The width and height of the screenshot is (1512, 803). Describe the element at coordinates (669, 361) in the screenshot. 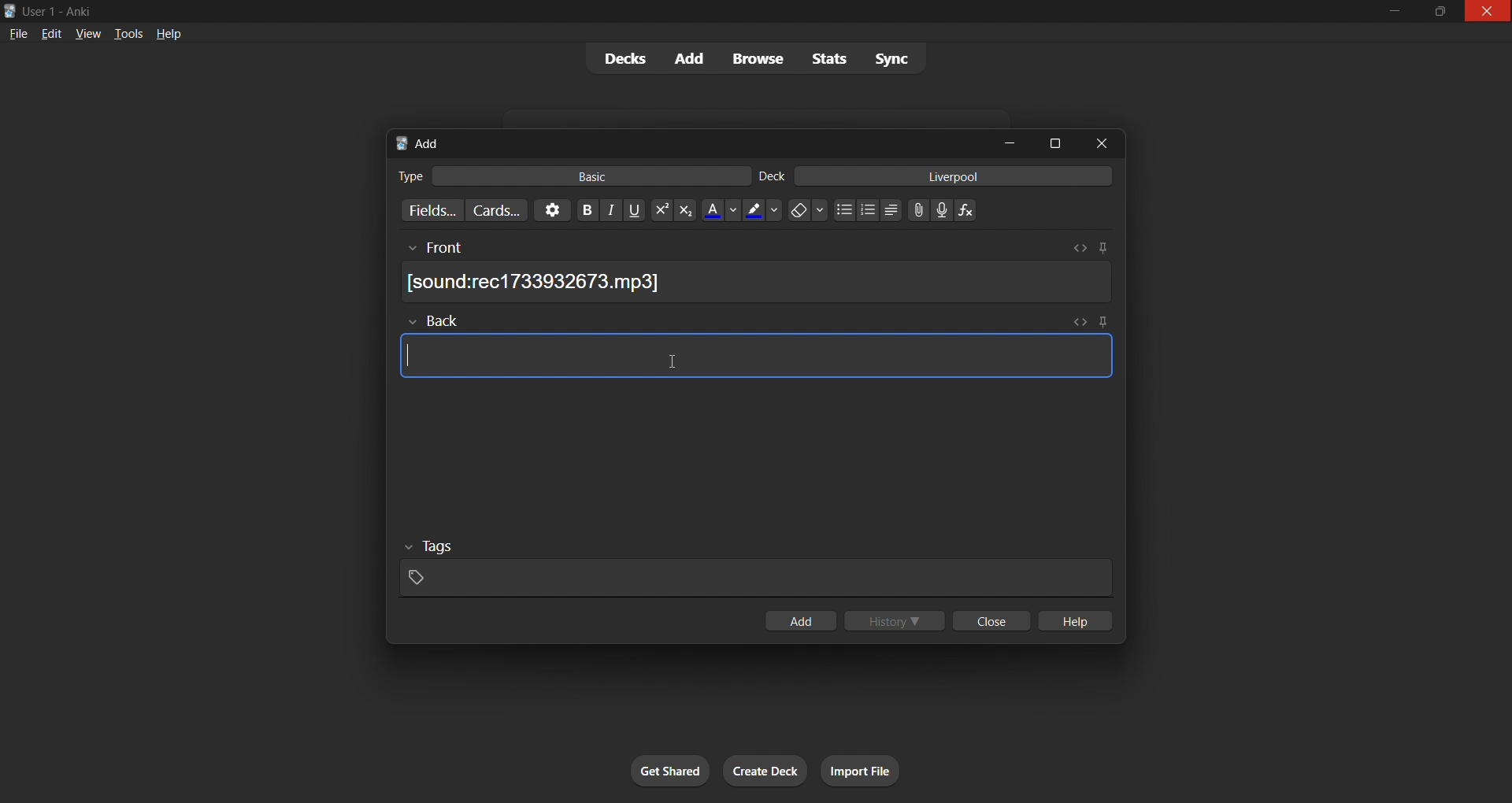

I see `cursor` at that location.